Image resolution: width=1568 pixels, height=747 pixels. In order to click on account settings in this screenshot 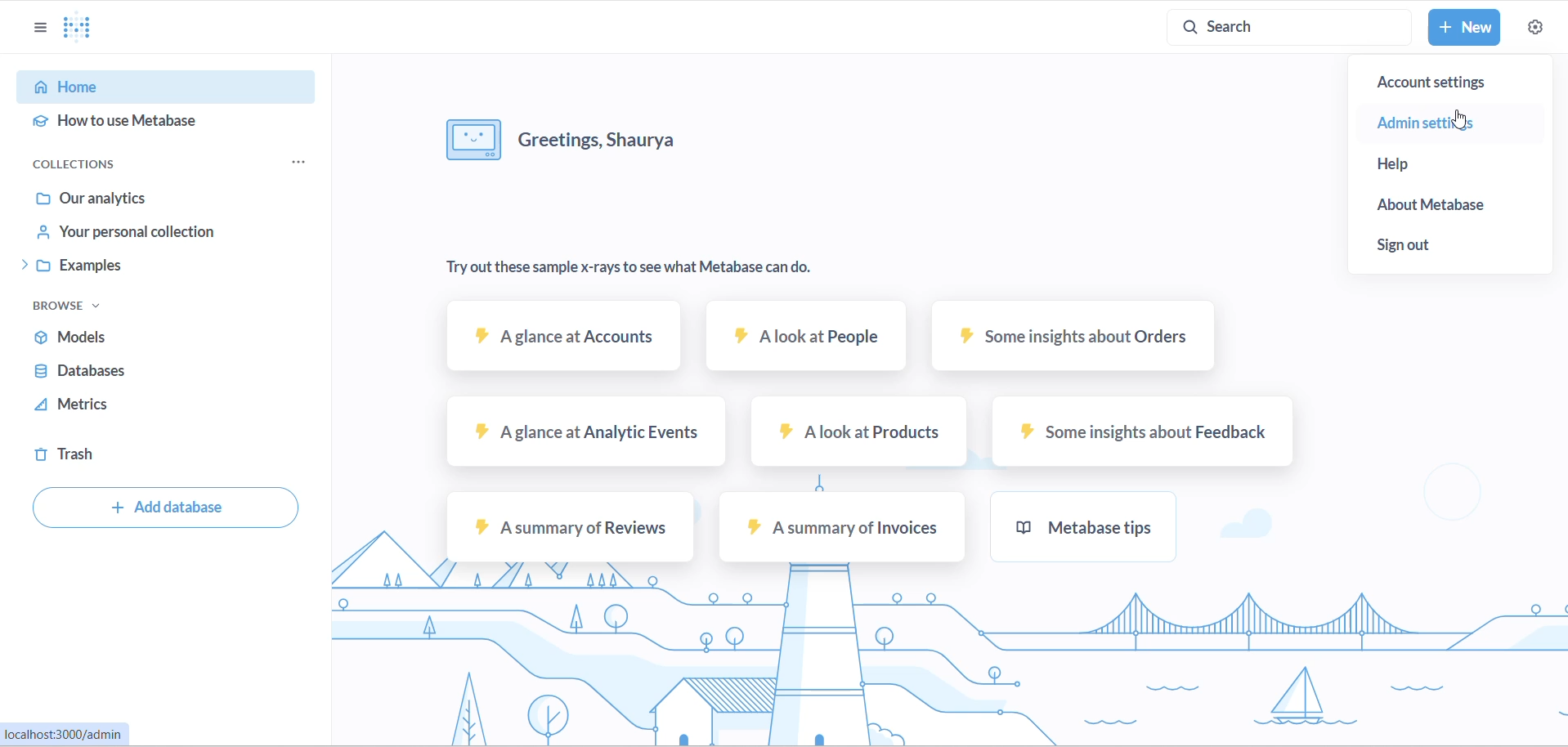, I will do `click(1448, 85)`.